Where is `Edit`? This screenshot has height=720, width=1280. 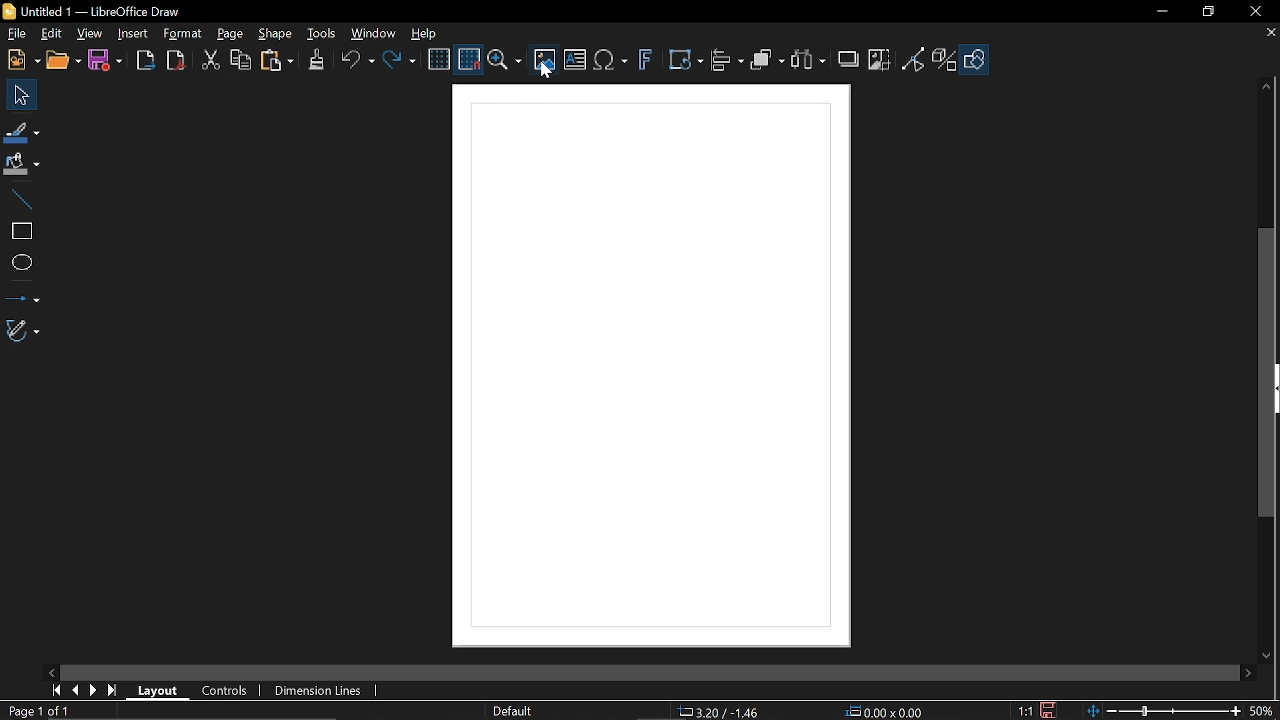 Edit is located at coordinates (50, 35).